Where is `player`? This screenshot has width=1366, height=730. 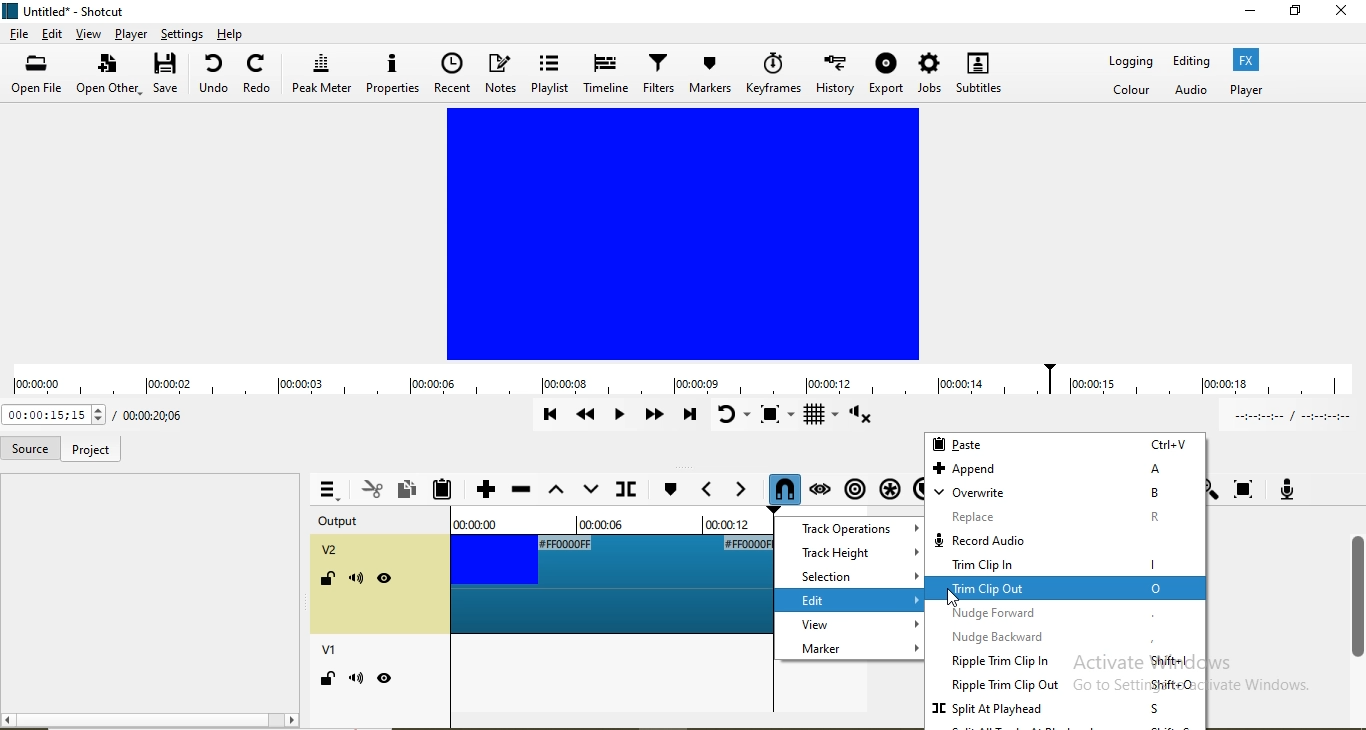
player is located at coordinates (129, 34).